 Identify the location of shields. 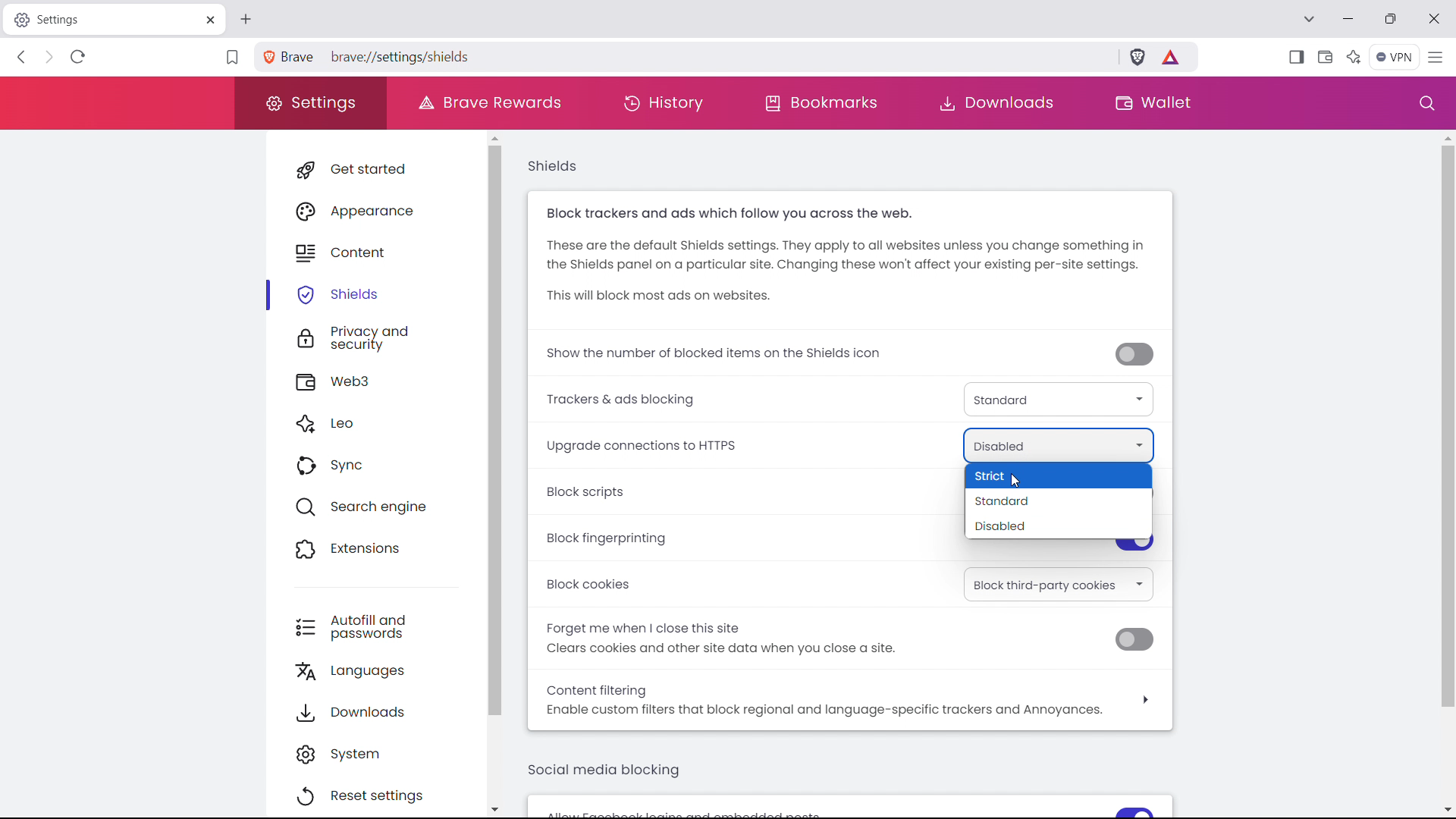
(554, 167).